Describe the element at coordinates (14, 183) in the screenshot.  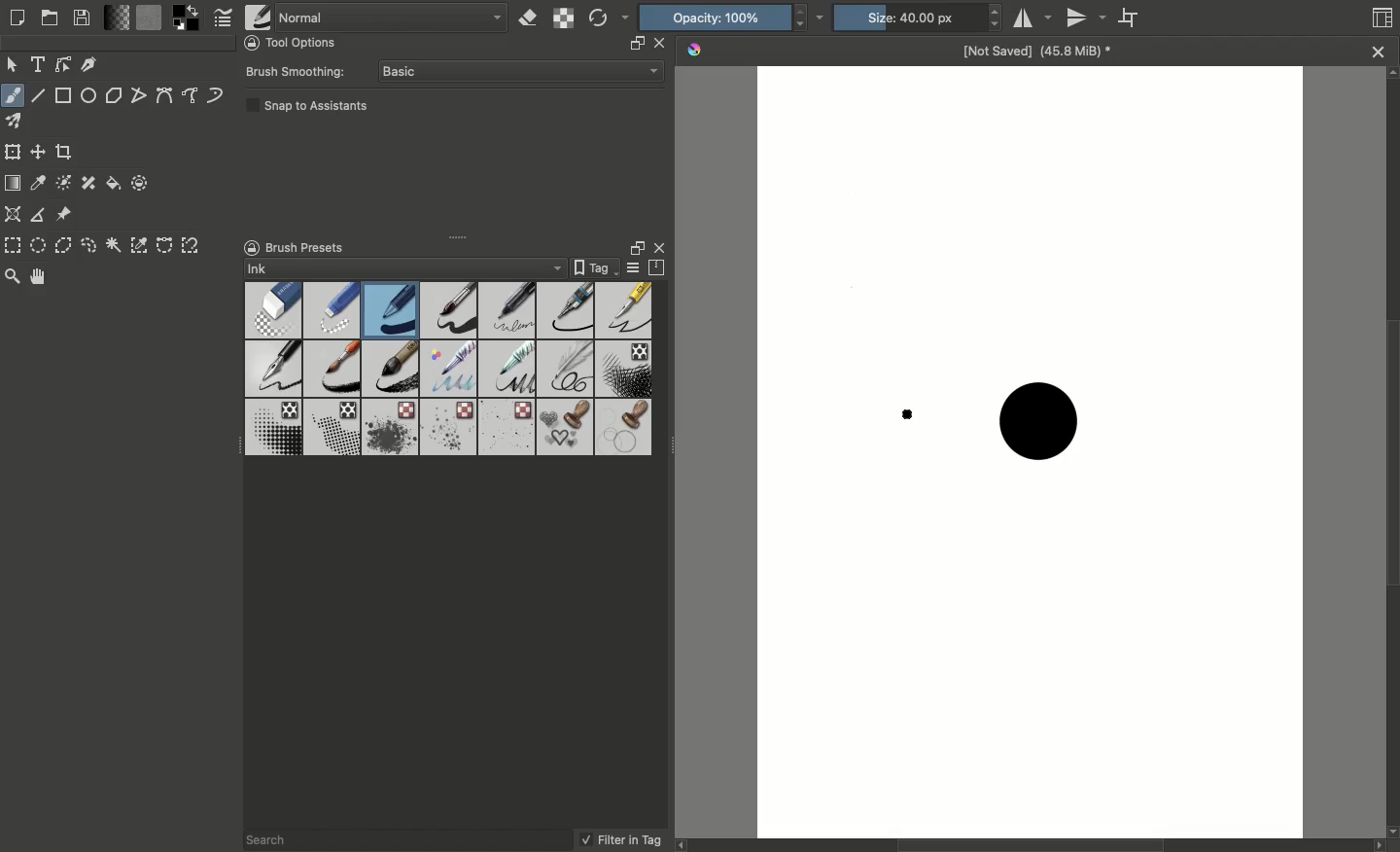
I see `Draw a gradient` at that location.